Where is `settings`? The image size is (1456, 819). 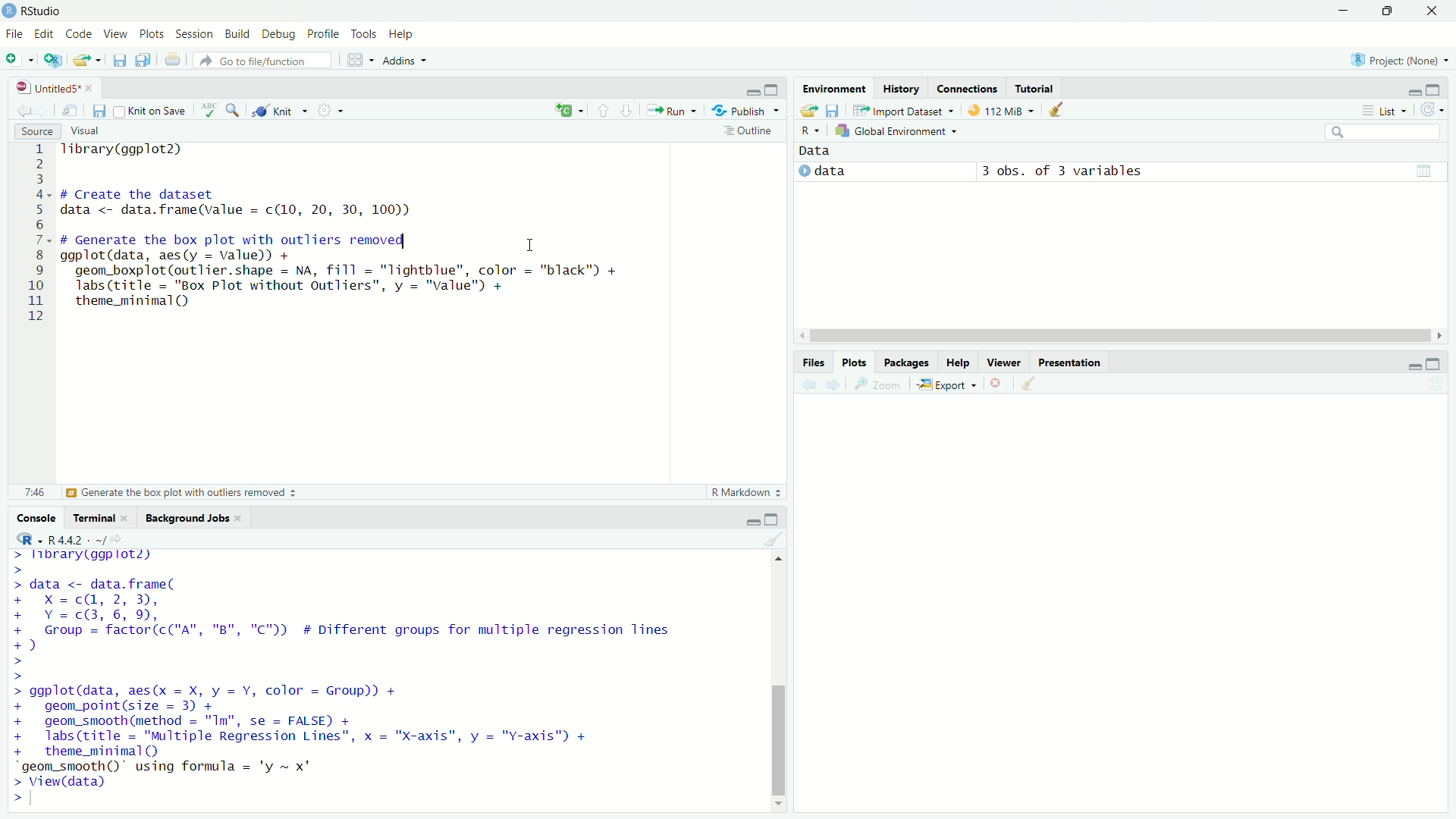
settings is located at coordinates (322, 111).